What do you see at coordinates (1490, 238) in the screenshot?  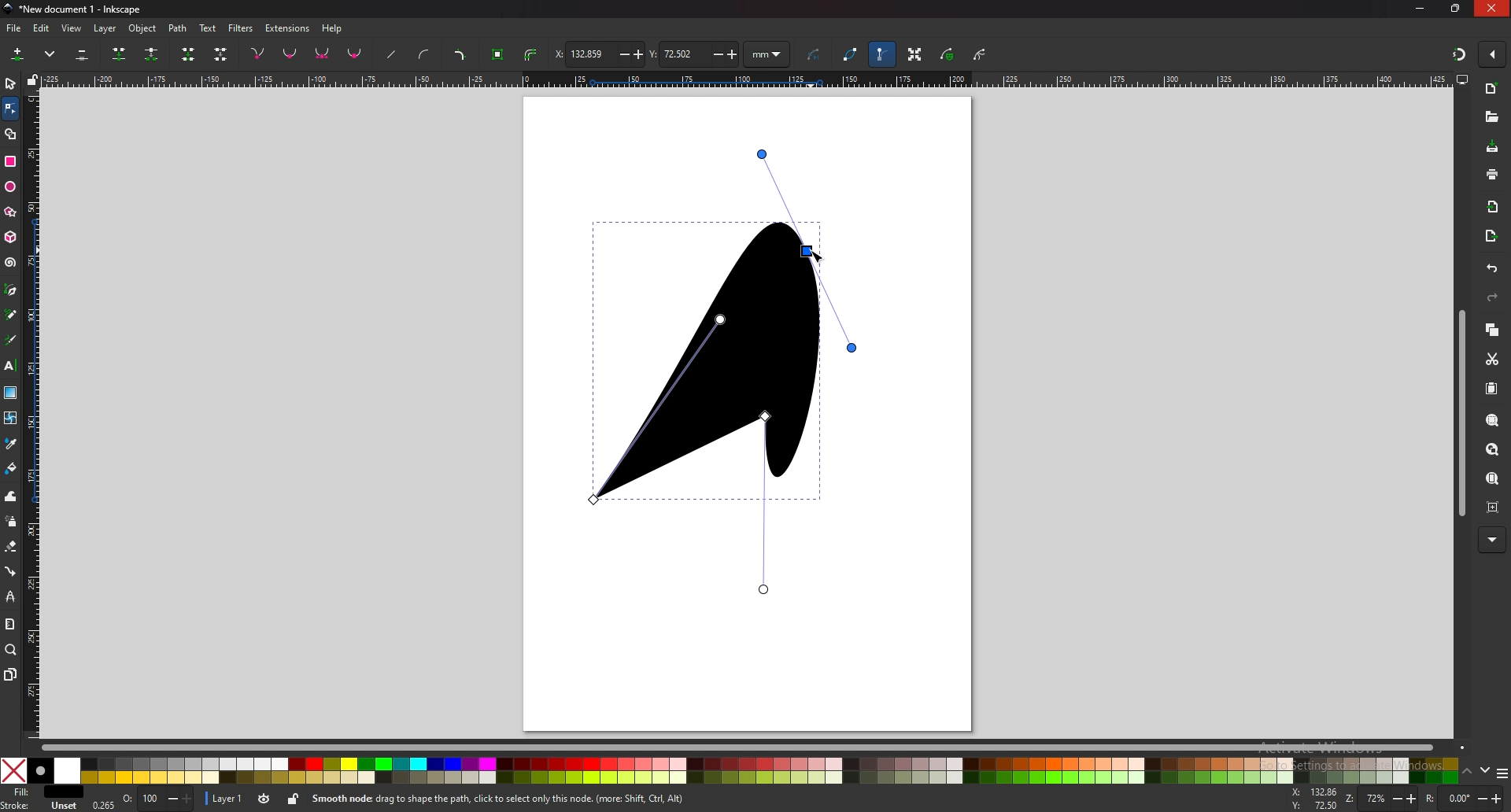 I see `export` at bounding box center [1490, 238].